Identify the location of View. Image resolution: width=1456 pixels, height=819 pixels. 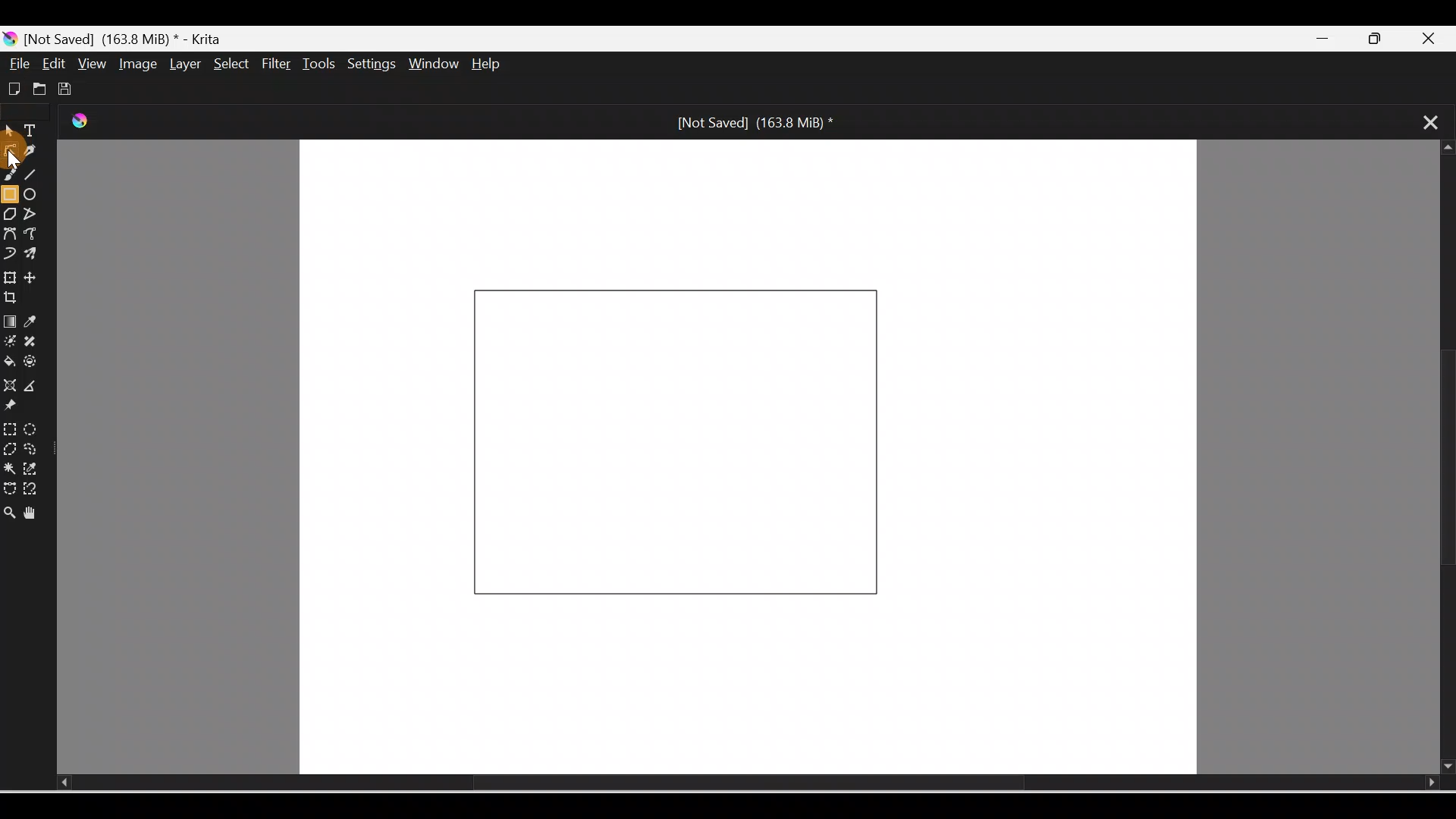
(89, 63).